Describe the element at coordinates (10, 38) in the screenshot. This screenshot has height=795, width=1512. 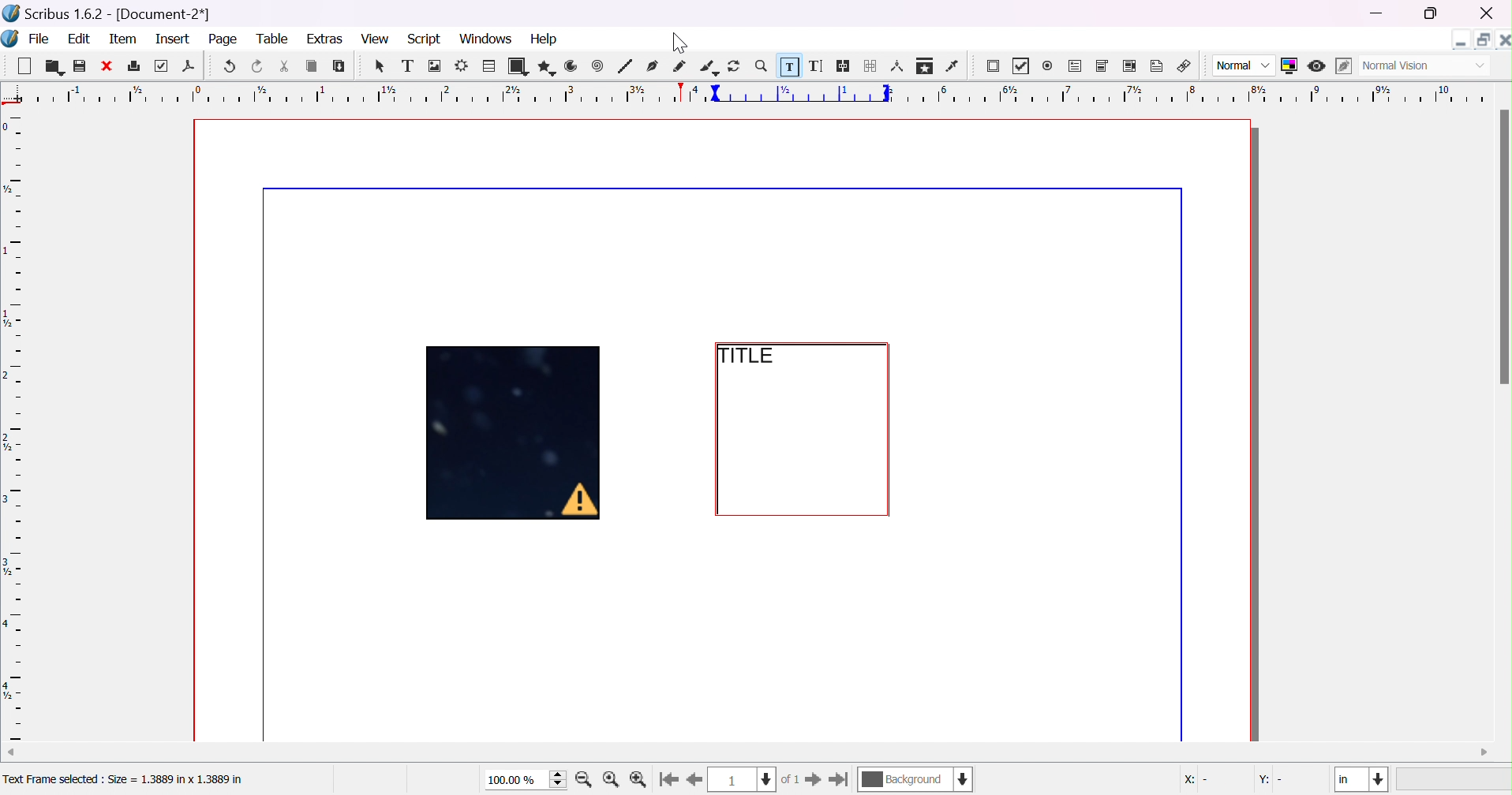
I see `scribus icon` at that location.